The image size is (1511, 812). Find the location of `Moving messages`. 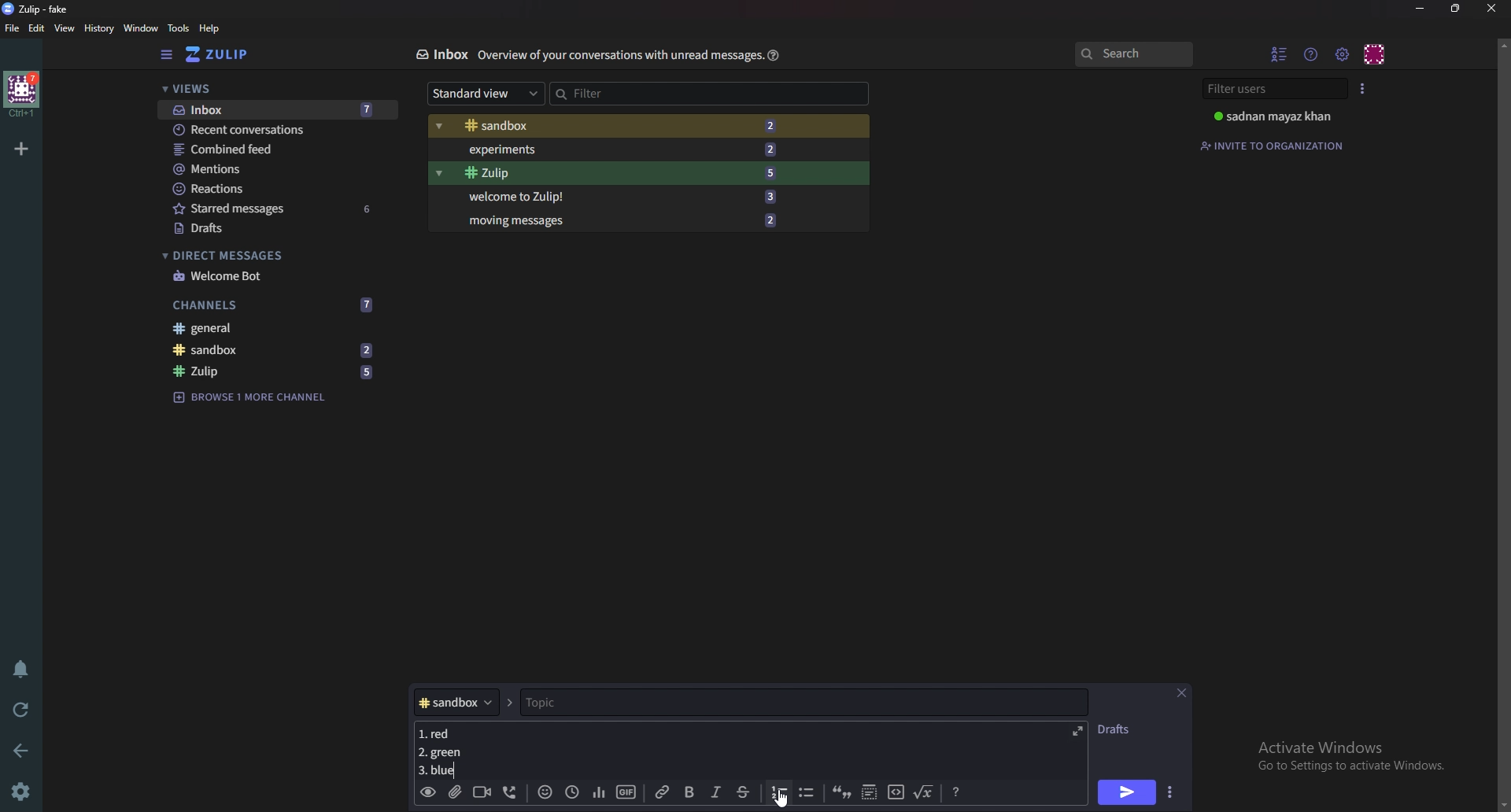

Moving messages is located at coordinates (620, 220).